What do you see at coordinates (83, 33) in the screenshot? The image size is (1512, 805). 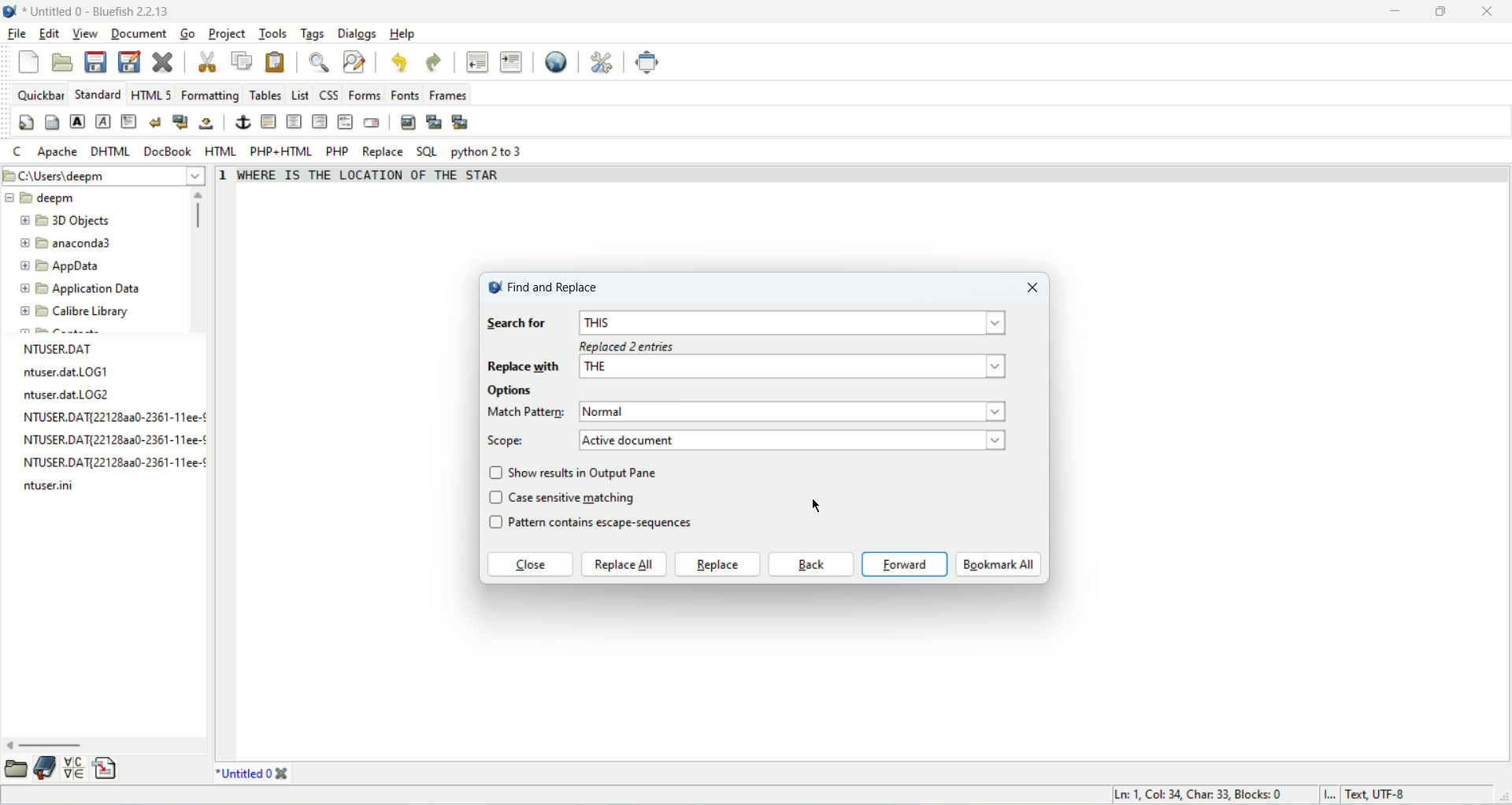 I see `view` at bounding box center [83, 33].